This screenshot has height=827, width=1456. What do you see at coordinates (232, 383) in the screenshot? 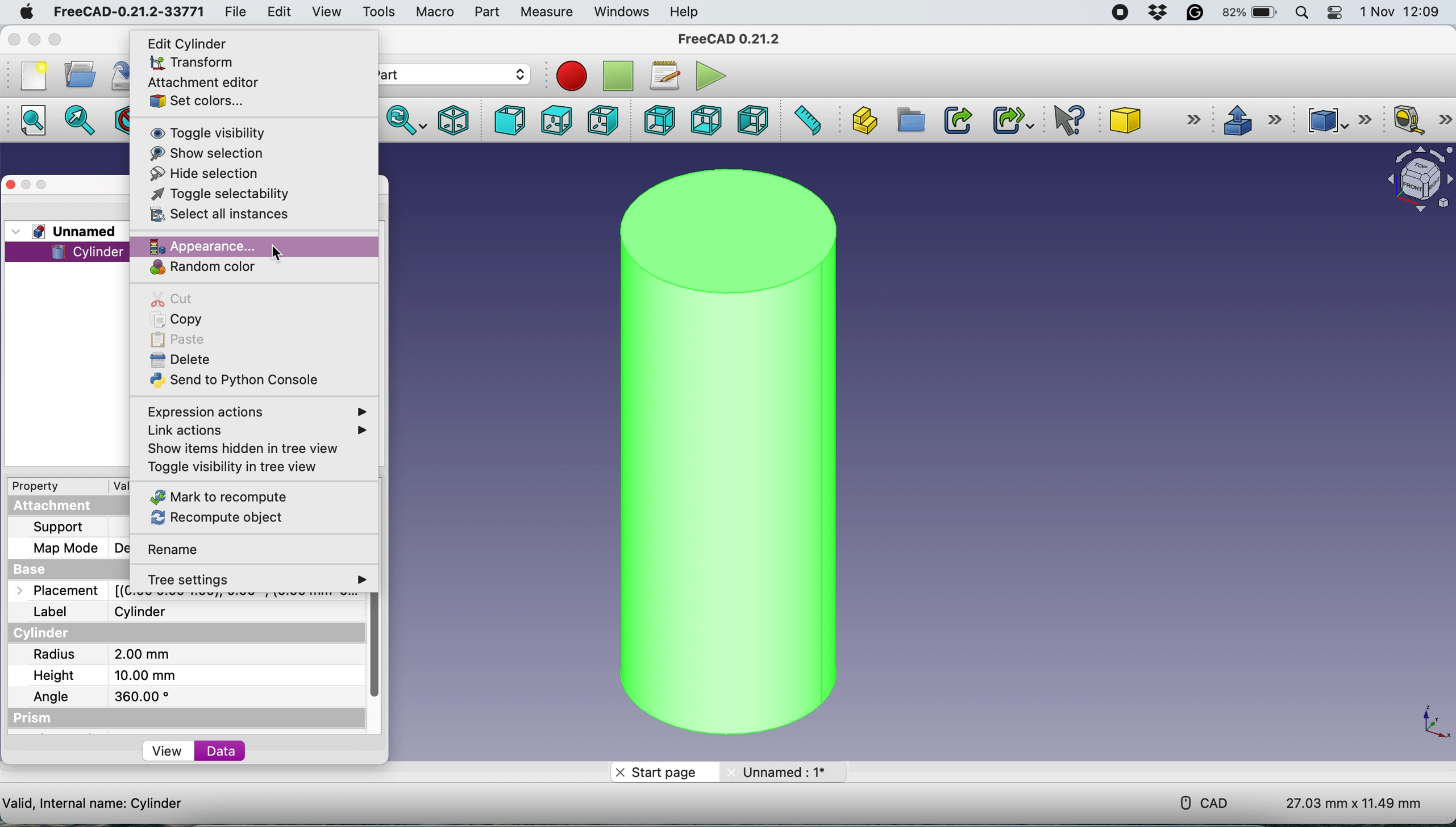
I see `send to python console` at bounding box center [232, 383].